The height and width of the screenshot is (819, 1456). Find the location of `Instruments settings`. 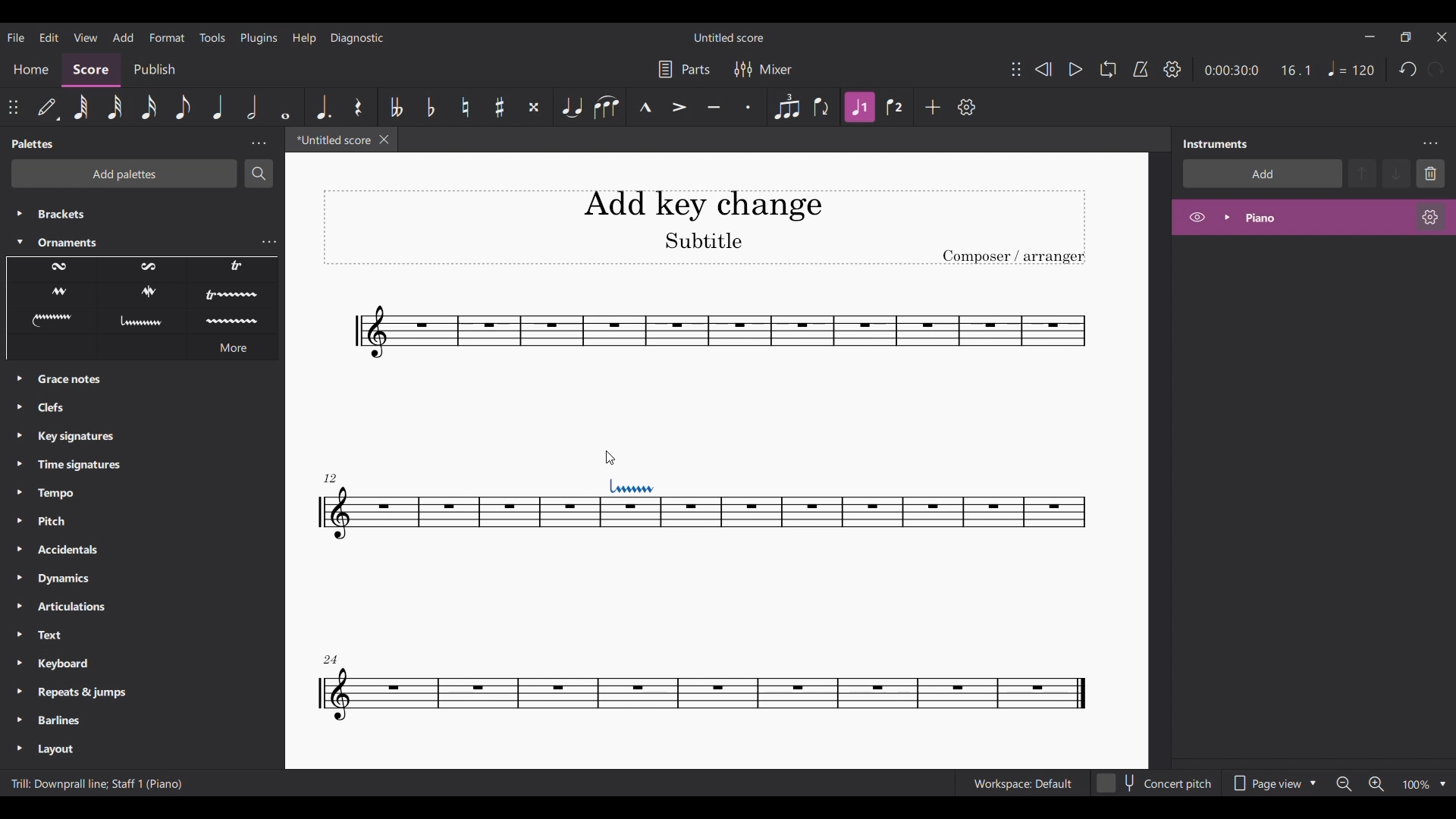

Instruments settings is located at coordinates (1431, 144).